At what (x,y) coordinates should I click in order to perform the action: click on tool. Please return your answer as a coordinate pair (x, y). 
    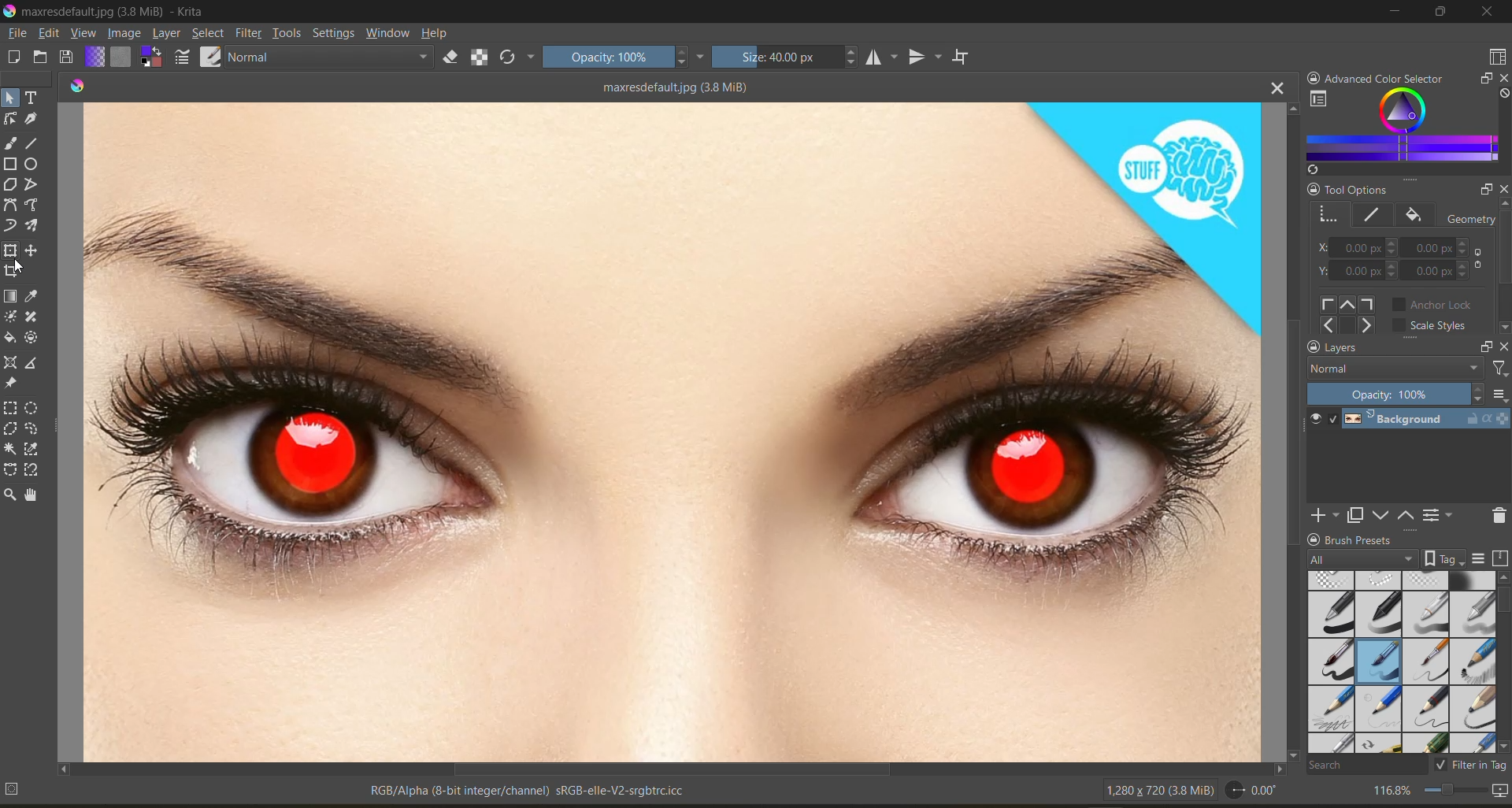
    Looking at the image, I should click on (9, 468).